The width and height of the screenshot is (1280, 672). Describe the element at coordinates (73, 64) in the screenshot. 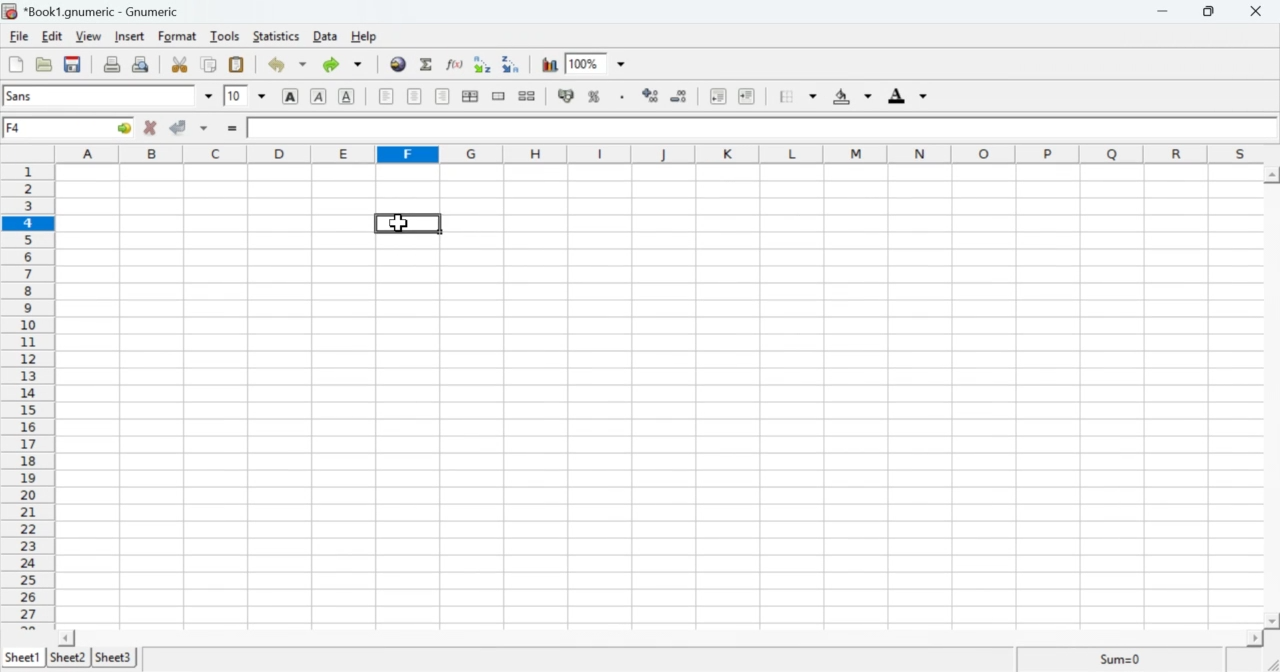

I see `Save` at that location.